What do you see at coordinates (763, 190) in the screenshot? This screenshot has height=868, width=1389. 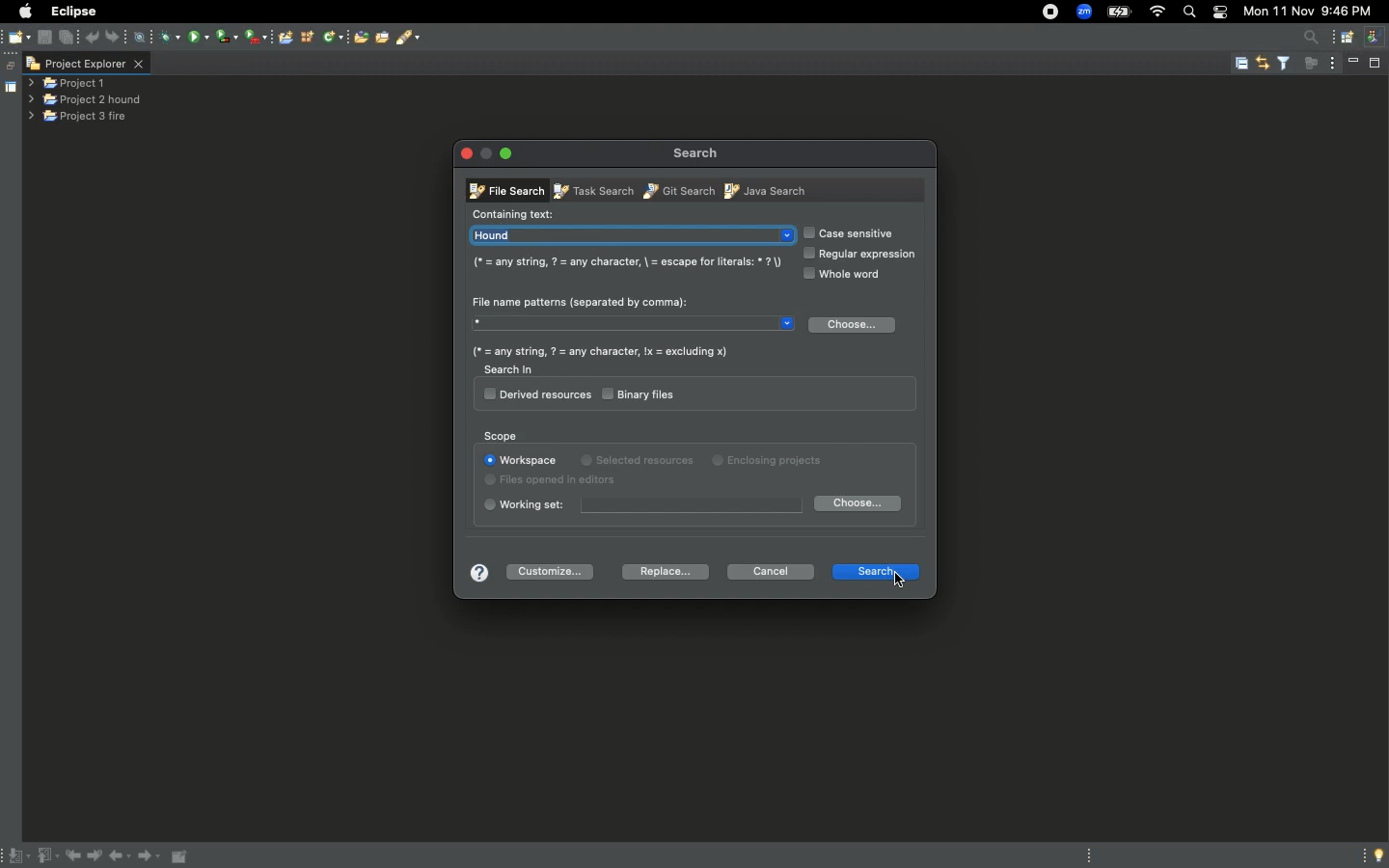 I see `Java search` at bounding box center [763, 190].